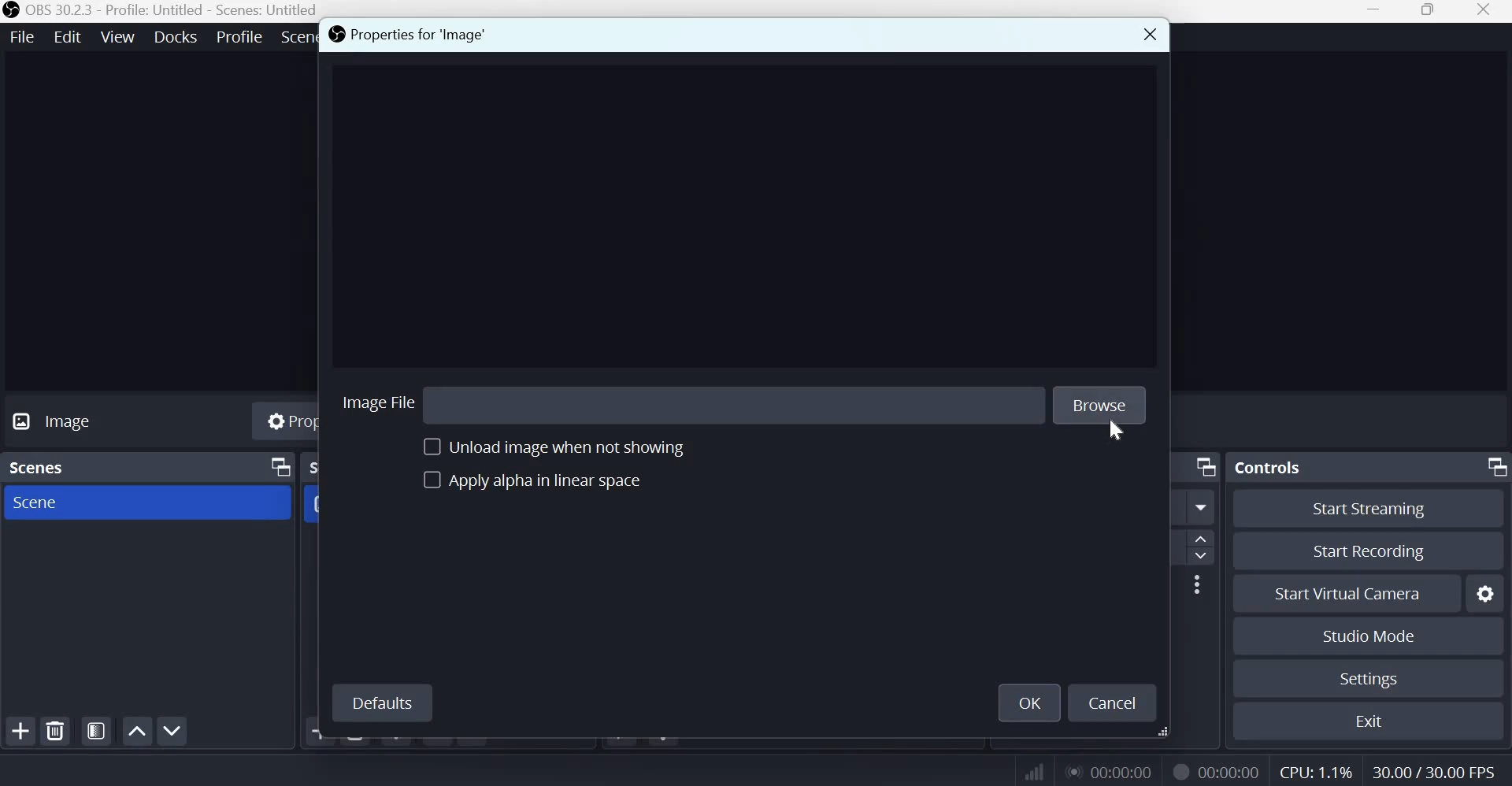 The image size is (1512, 786). I want to click on OBS 30.2.3 - Profile: Untitled - Scenes: Untitled, so click(160, 10).